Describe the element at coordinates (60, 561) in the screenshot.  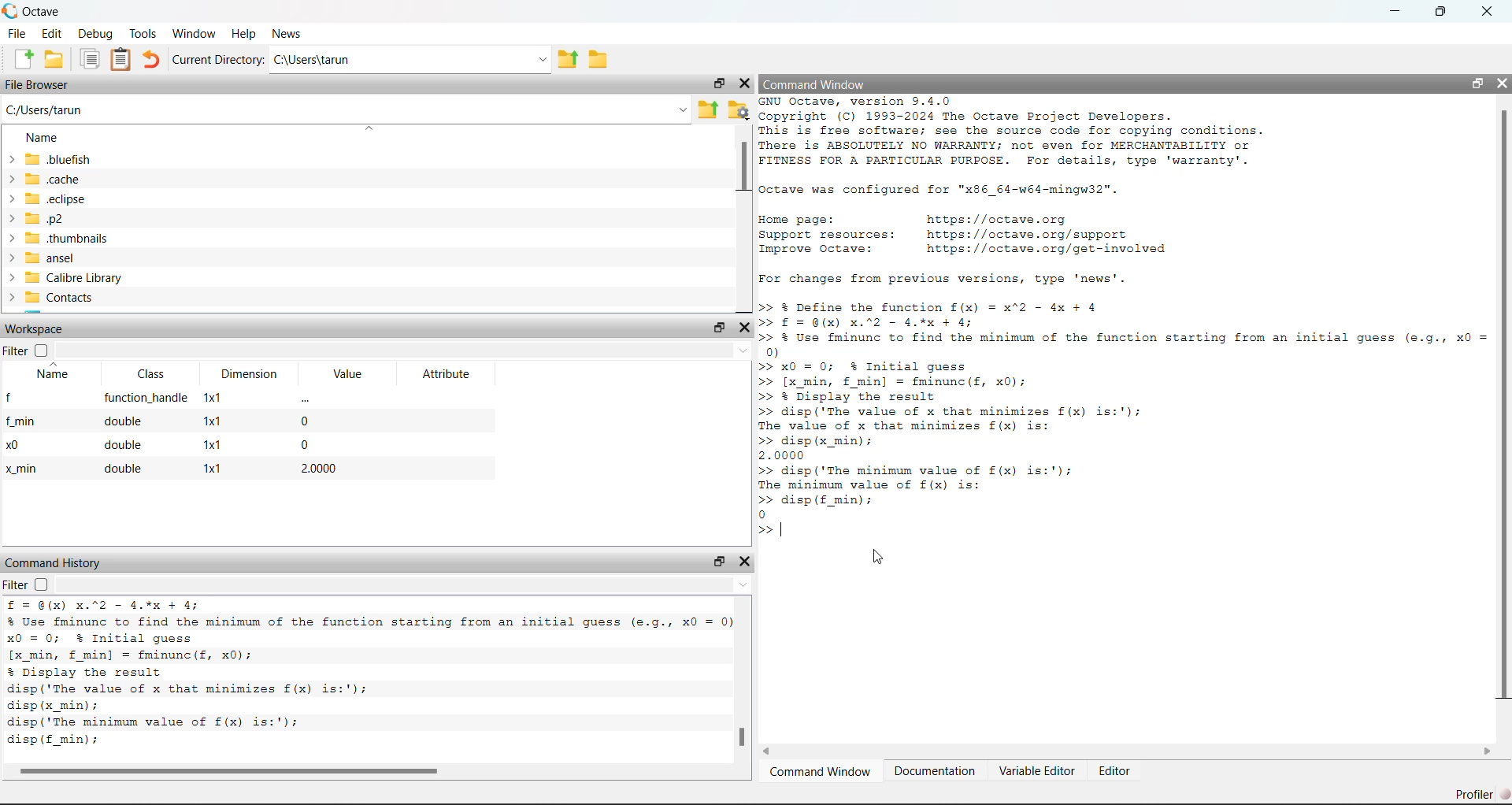
I see `Command History` at that location.